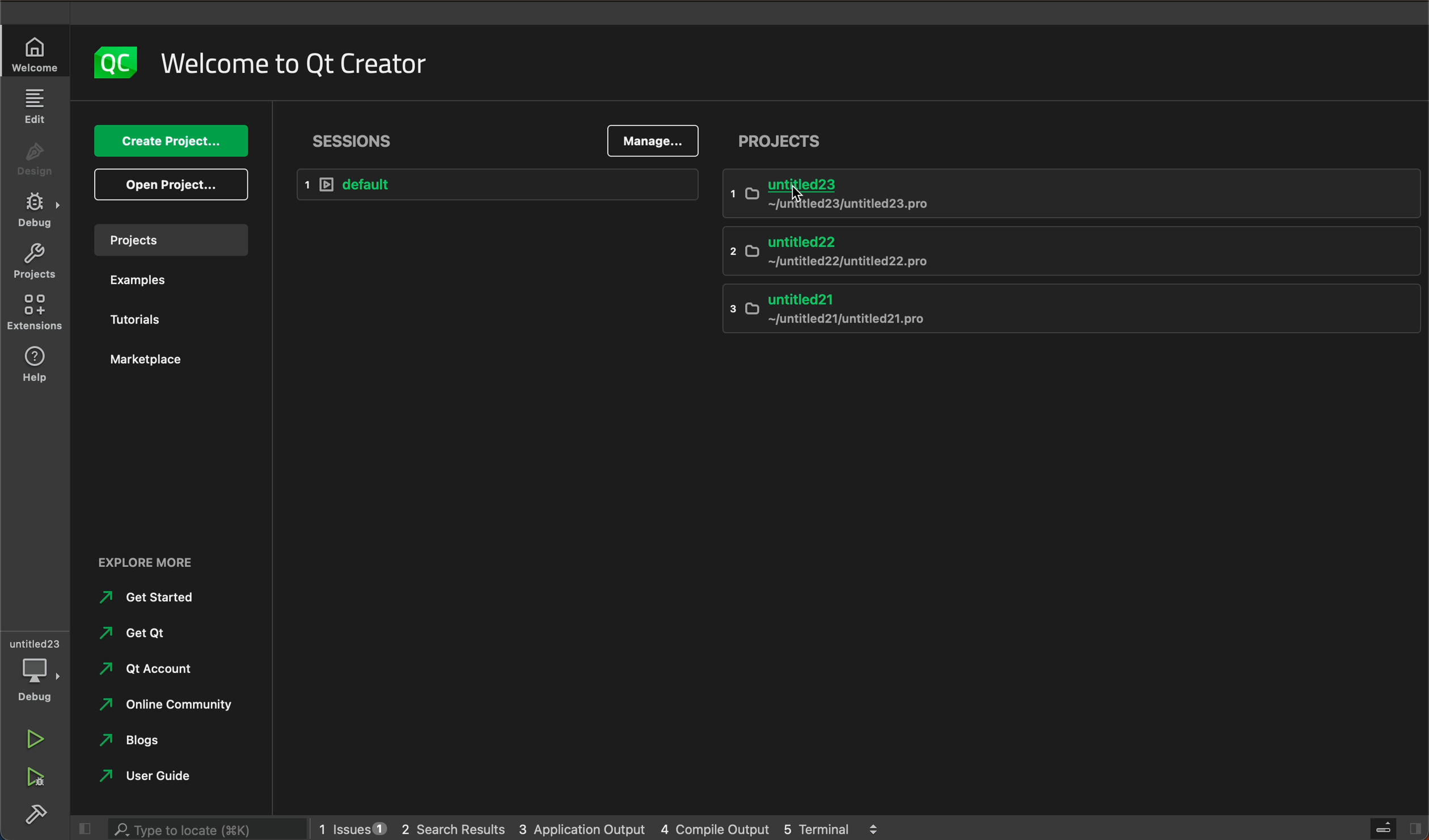 The width and height of the screenshot is (1429, 840). Describe the element at coordinates (38, 667) in the screenshot. I see `debug` at that location.